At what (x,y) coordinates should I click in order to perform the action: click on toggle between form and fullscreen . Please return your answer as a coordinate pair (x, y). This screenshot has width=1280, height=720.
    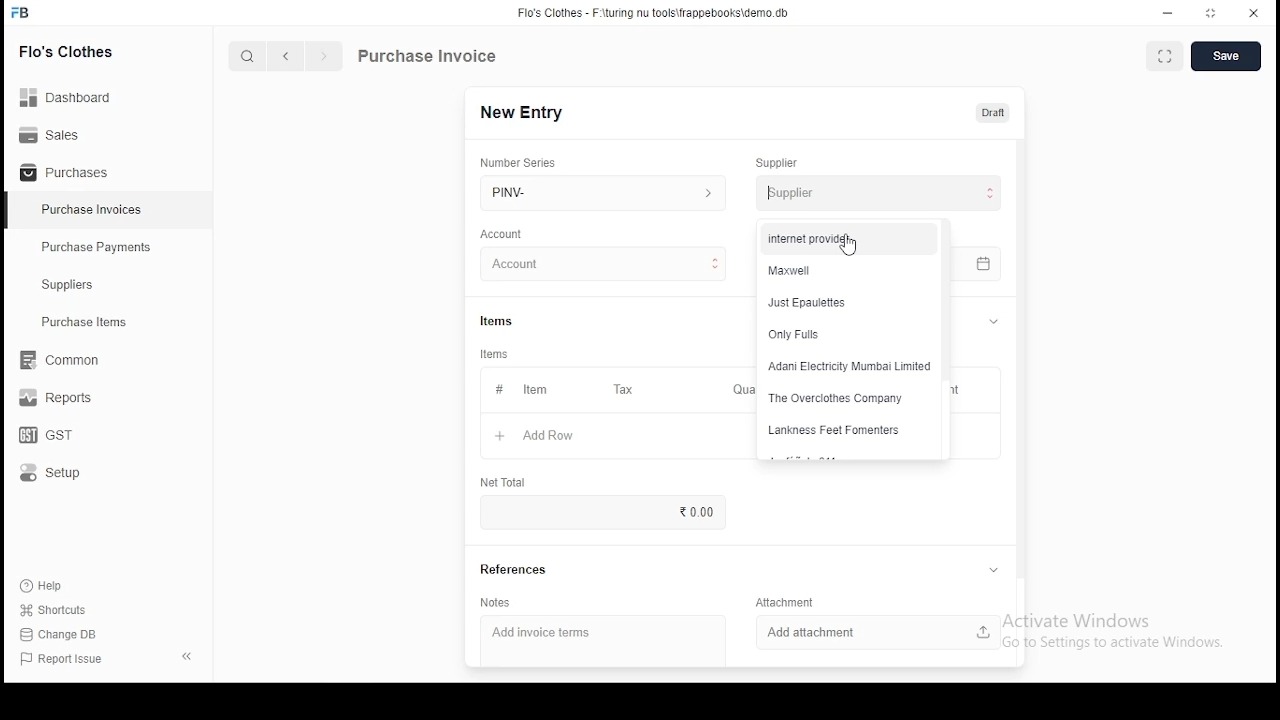
    Looking at the image, I should click on (1166, 58).